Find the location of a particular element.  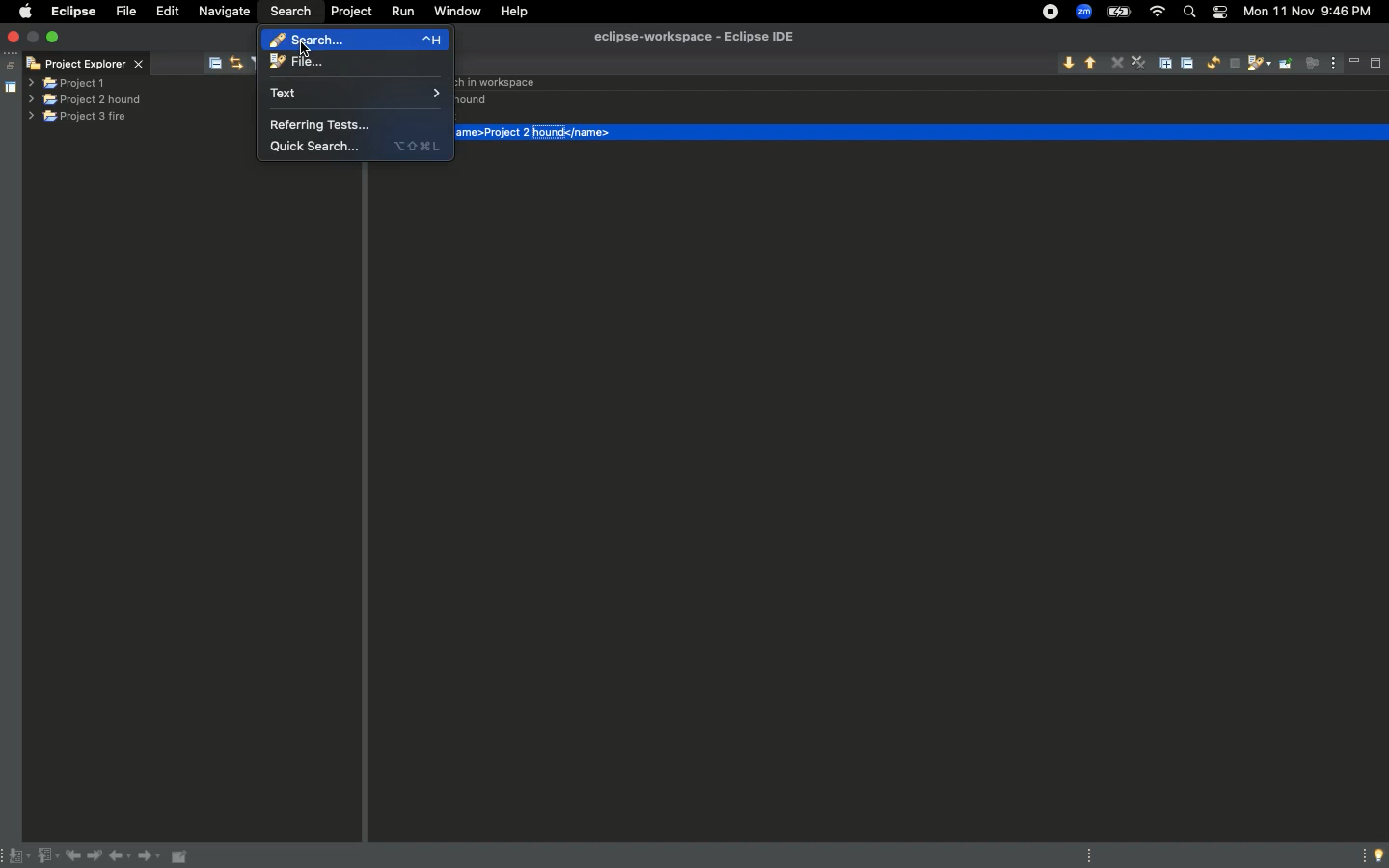

Show next match is located at coordinates (1067, 63).